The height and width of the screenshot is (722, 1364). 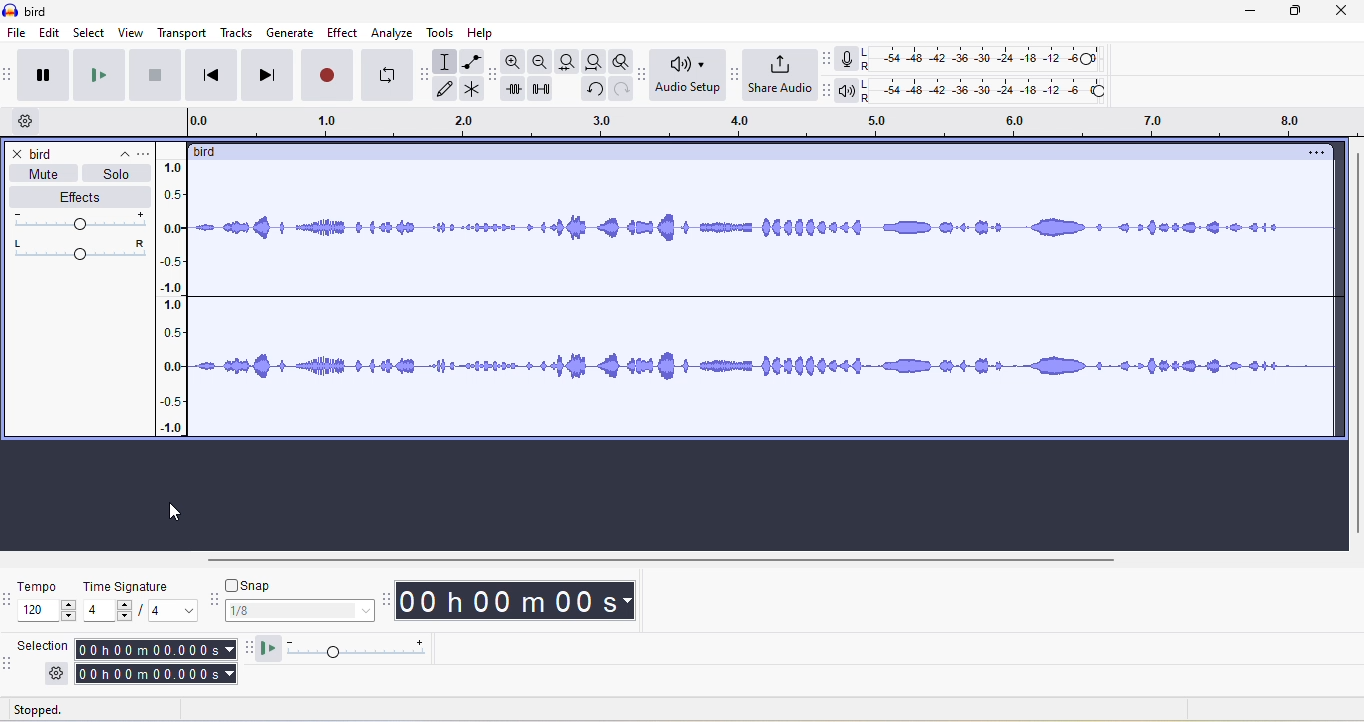 I want to click on envelope tool, so click(x=470, y=62).